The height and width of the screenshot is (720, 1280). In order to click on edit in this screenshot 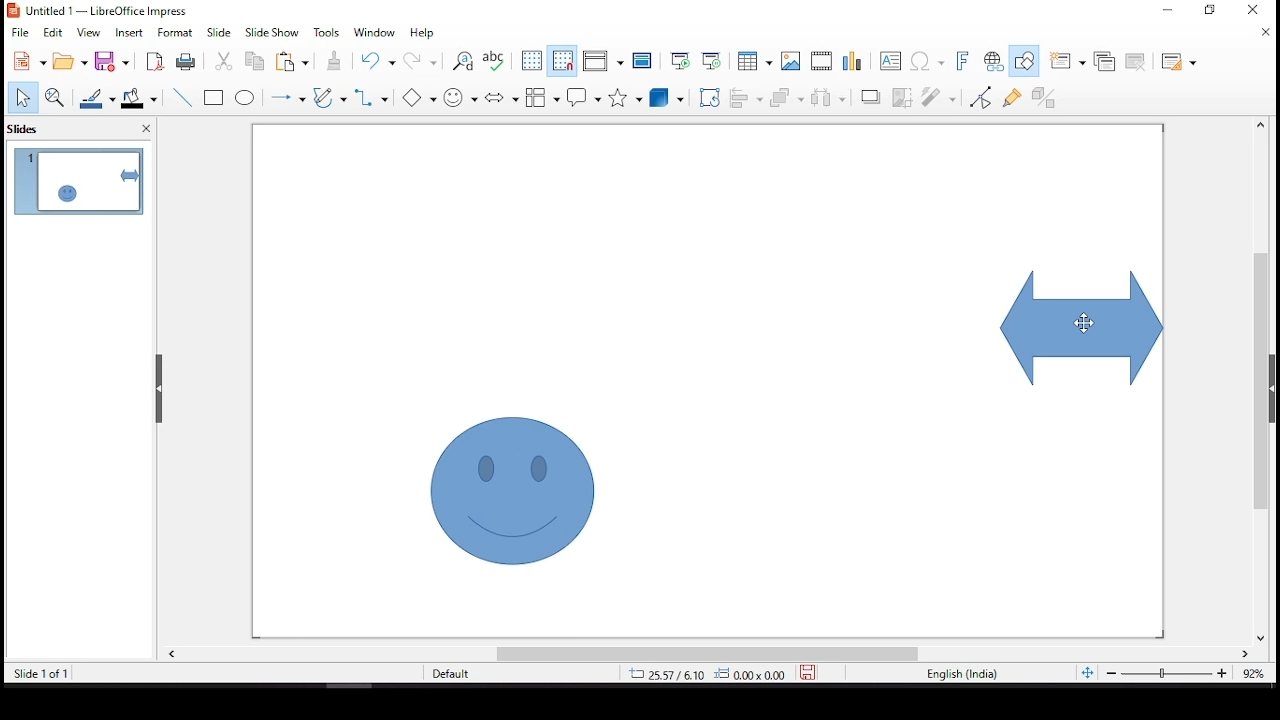, I will do `click(53, 33)`.